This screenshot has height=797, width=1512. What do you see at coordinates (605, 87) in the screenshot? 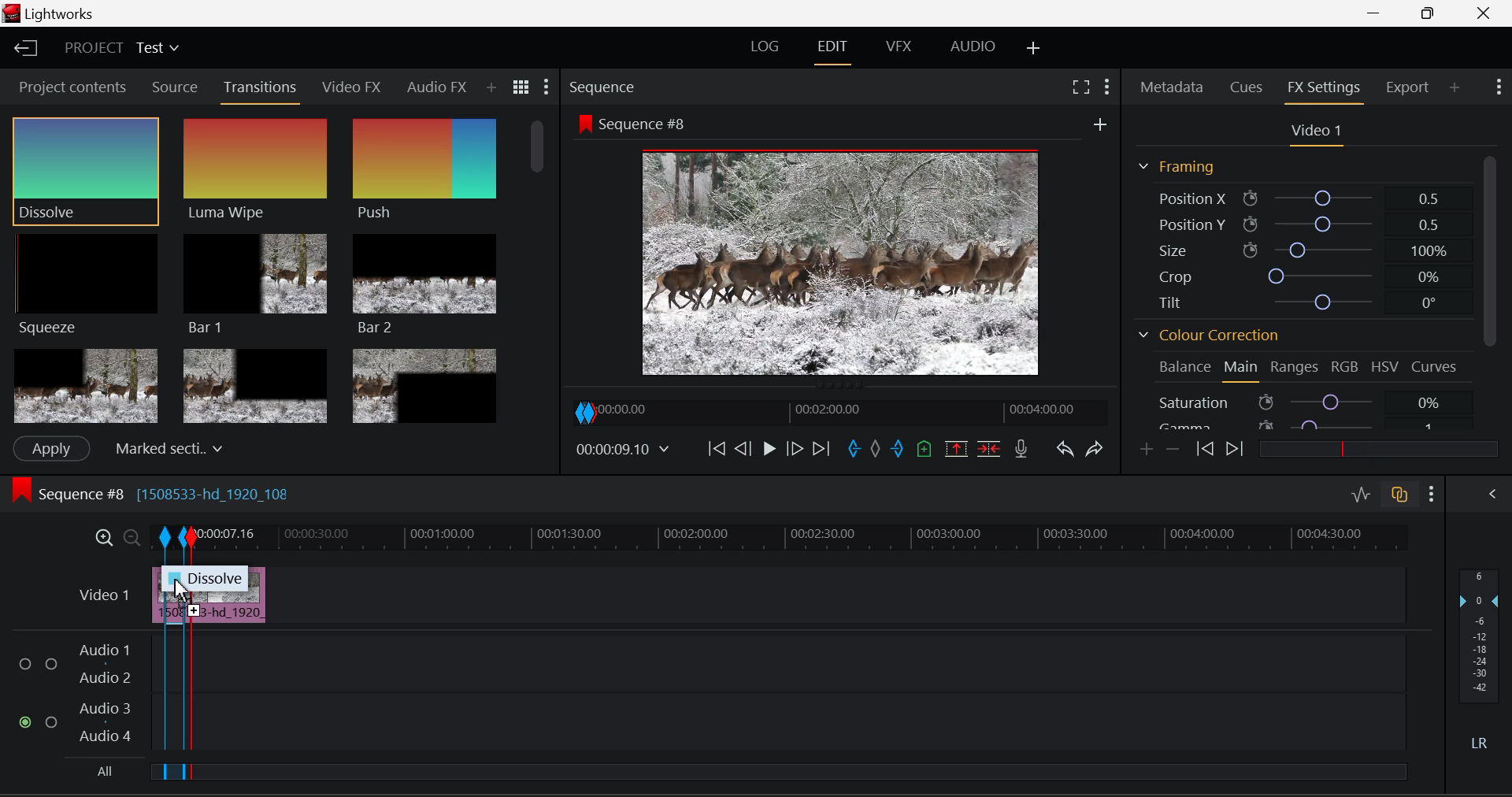
I see `Sequence Preview Section` at bounding box center [605, 87].